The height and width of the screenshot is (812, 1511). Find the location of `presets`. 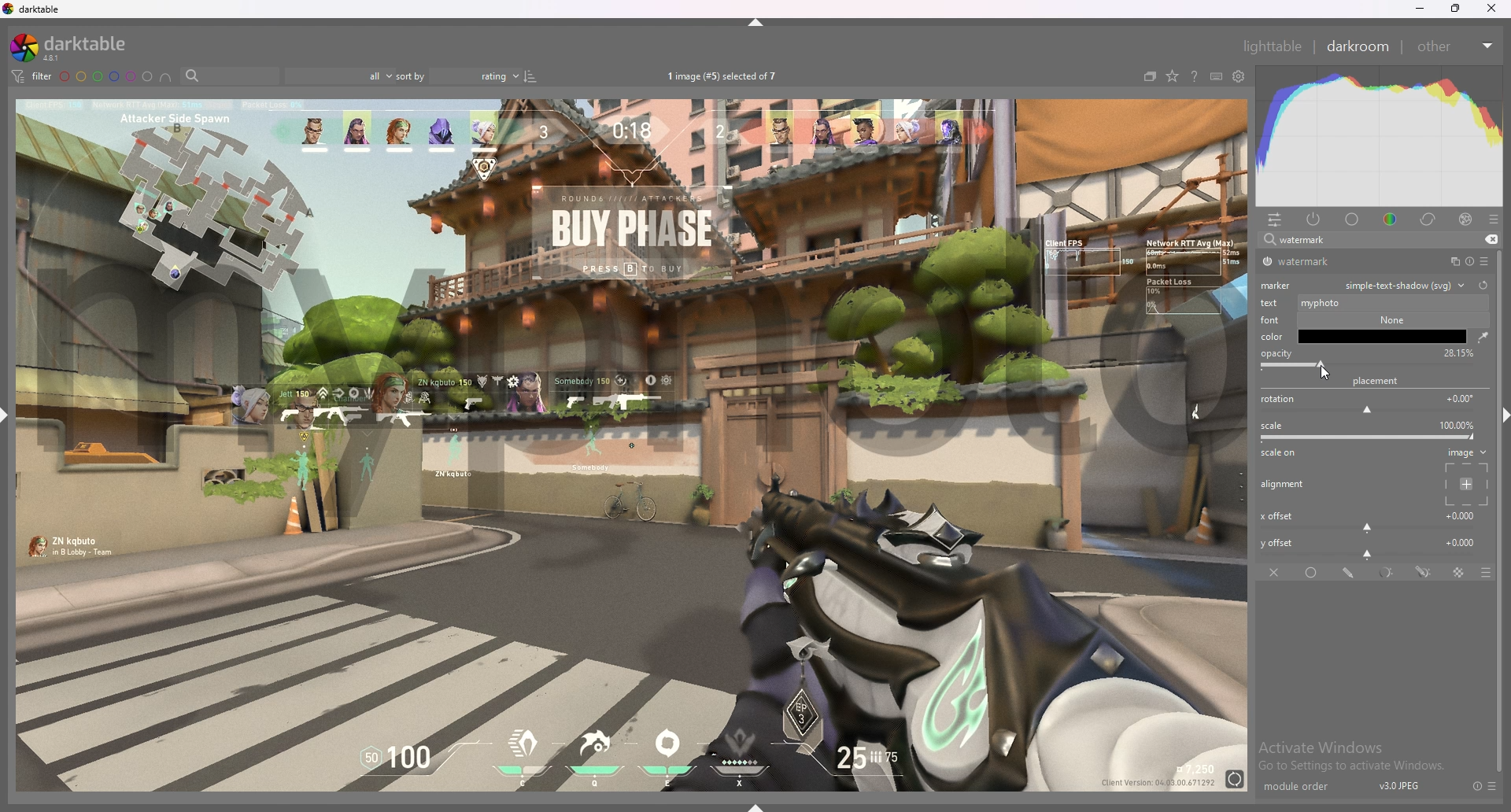

presets is located at coordinates (1493, 786).